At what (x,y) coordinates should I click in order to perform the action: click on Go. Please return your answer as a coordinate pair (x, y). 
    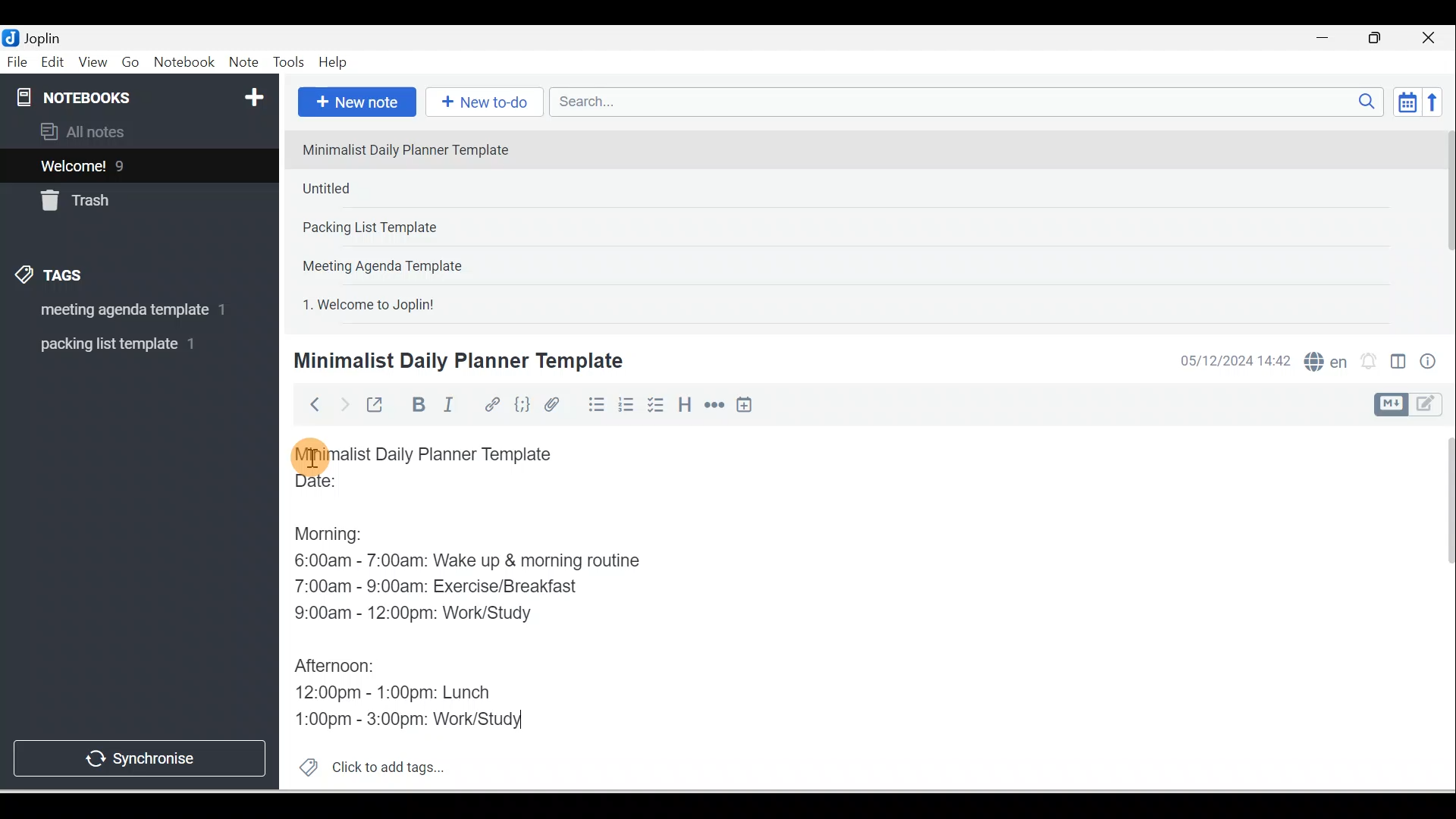
    Looking at the image, I should click on (133, 63).